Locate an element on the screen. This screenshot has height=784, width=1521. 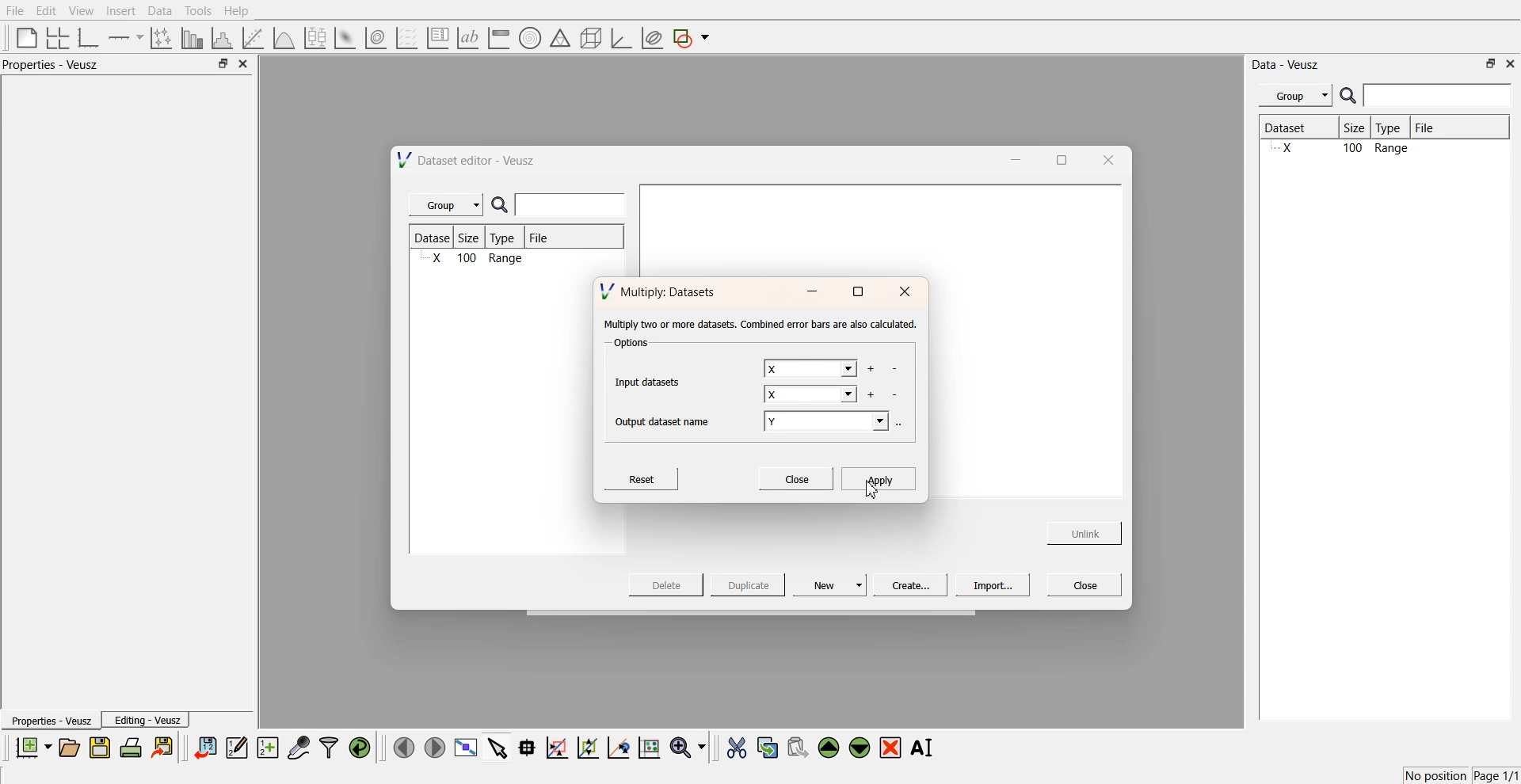
close is located at coordinates (244, 64).